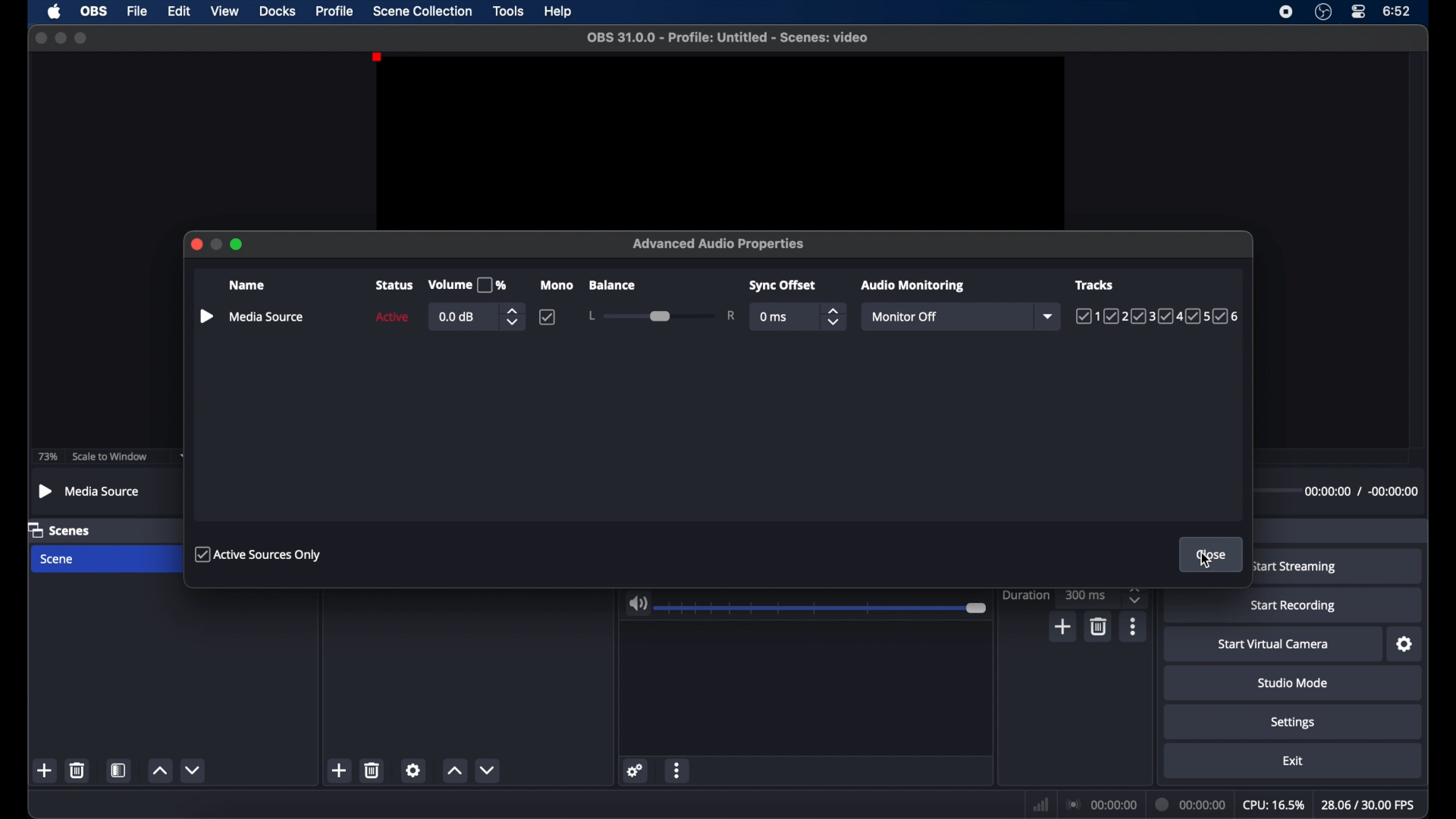 This screenshot has width=1456, height=819. What do you see at coordinates (60, 531) in the screenshot?
I see `scenes` at bounding box center [60, 531].